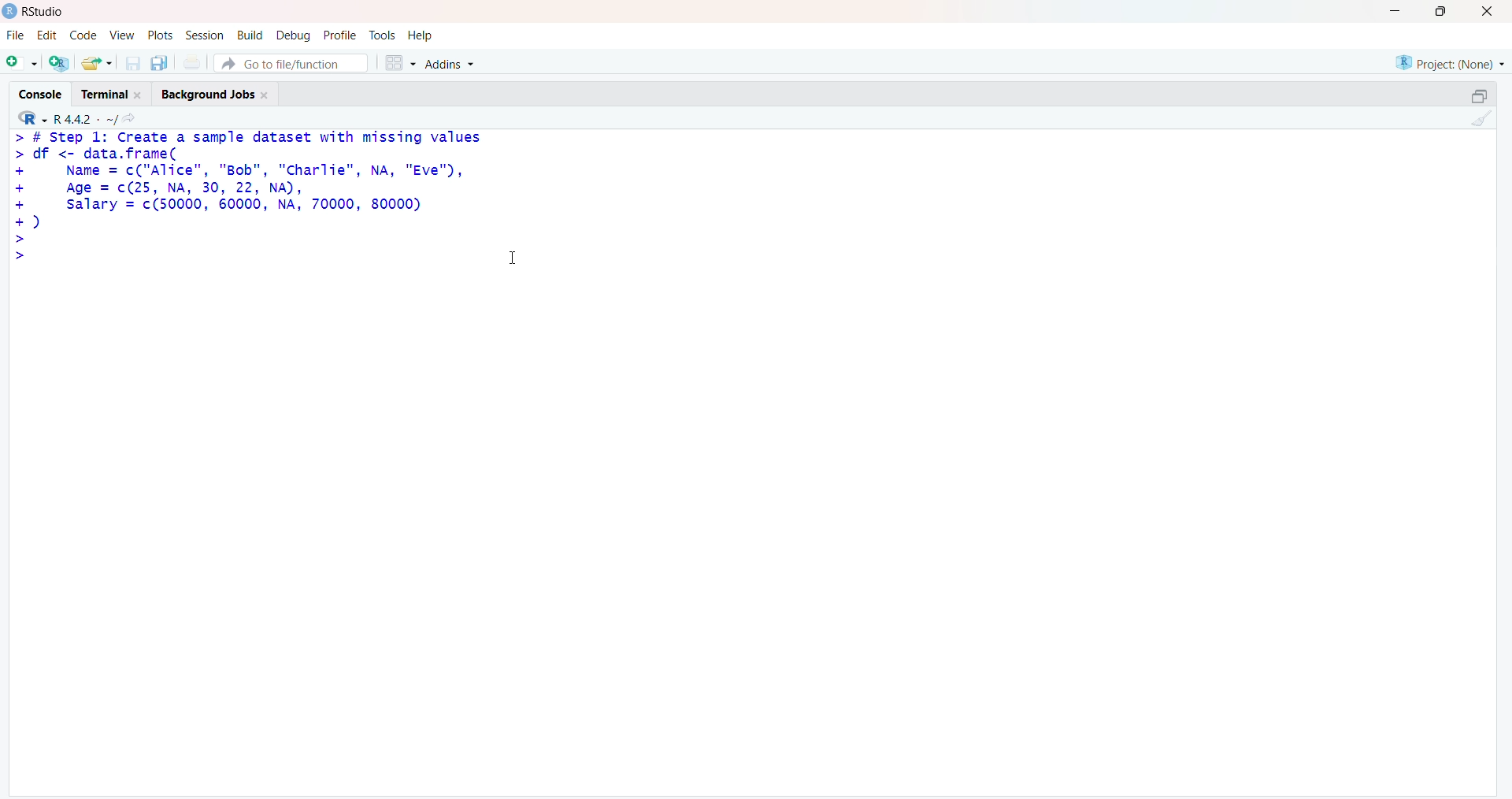 This screenshot has height=799, width=1512. What do you see at coordinates (113, 93) in the screenshot?
I see `Terminal` at bounding box center [113, 93].